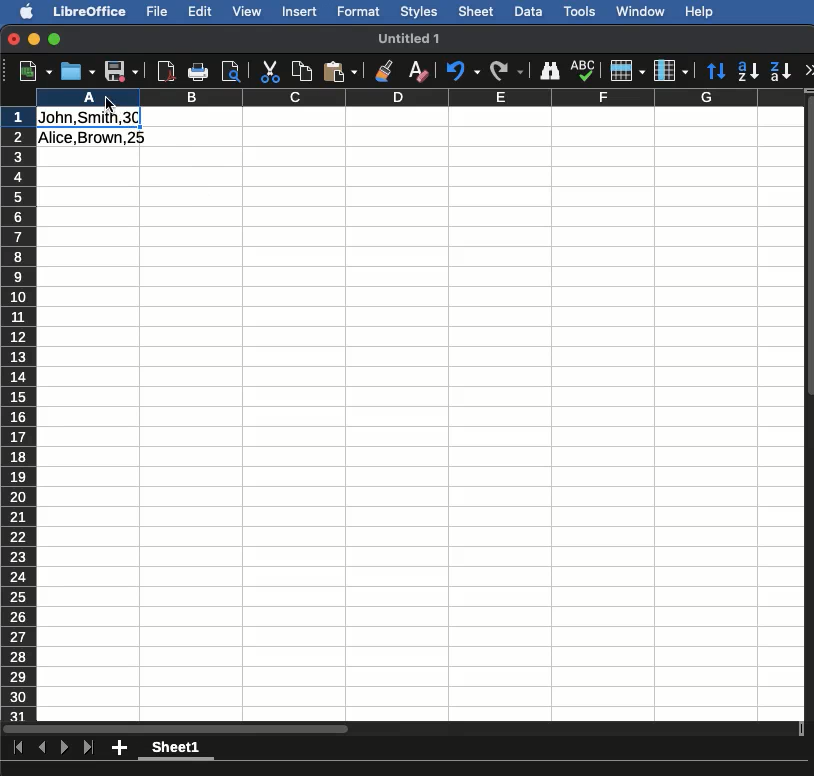 The image size is (814, 776). I want to click on Rows, so click(628, 69).